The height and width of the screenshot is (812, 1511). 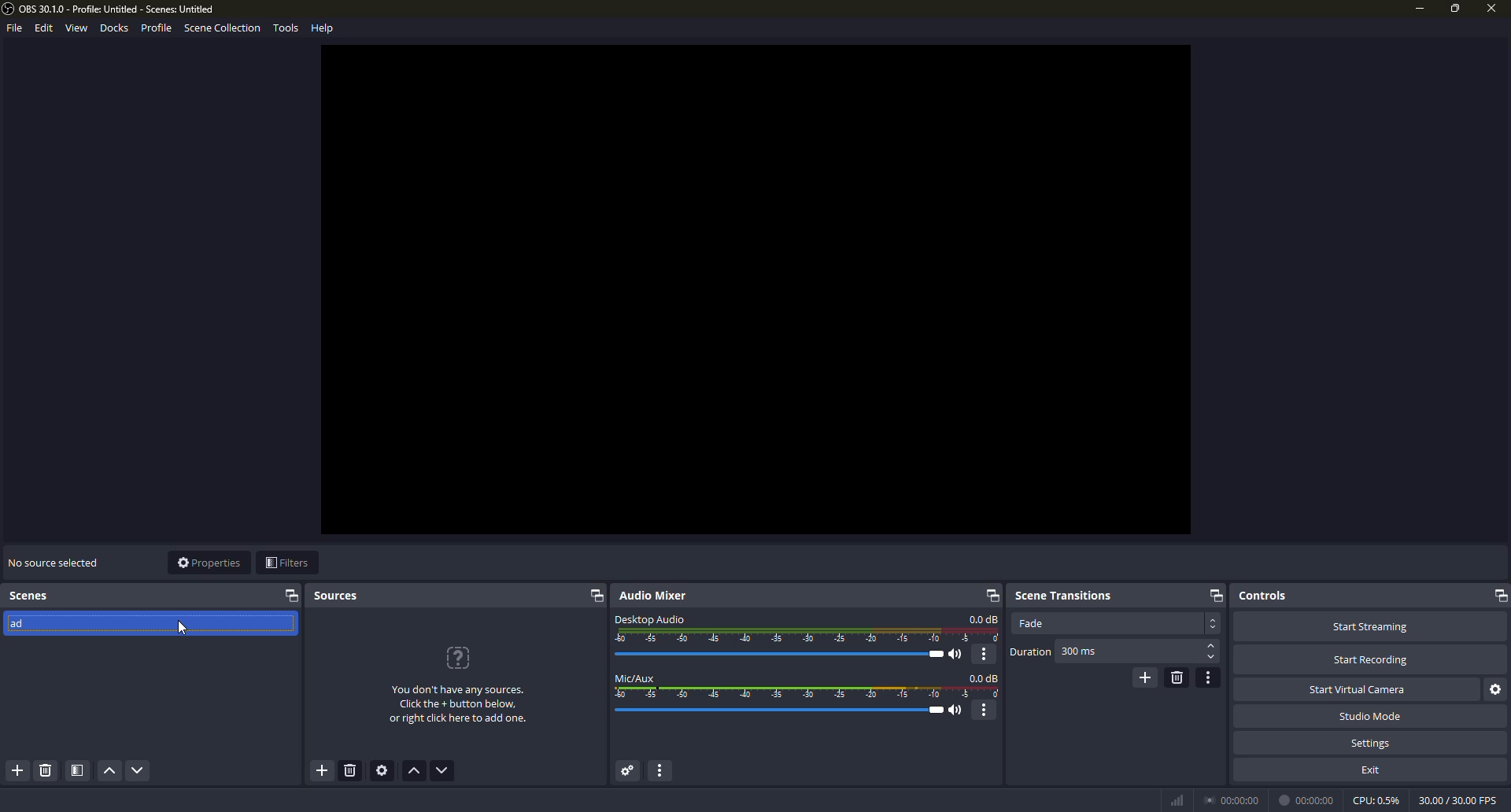 What do you see at coordinates (76, 28) in the screenshot?
I see `view` at bounding box center [76, 28].